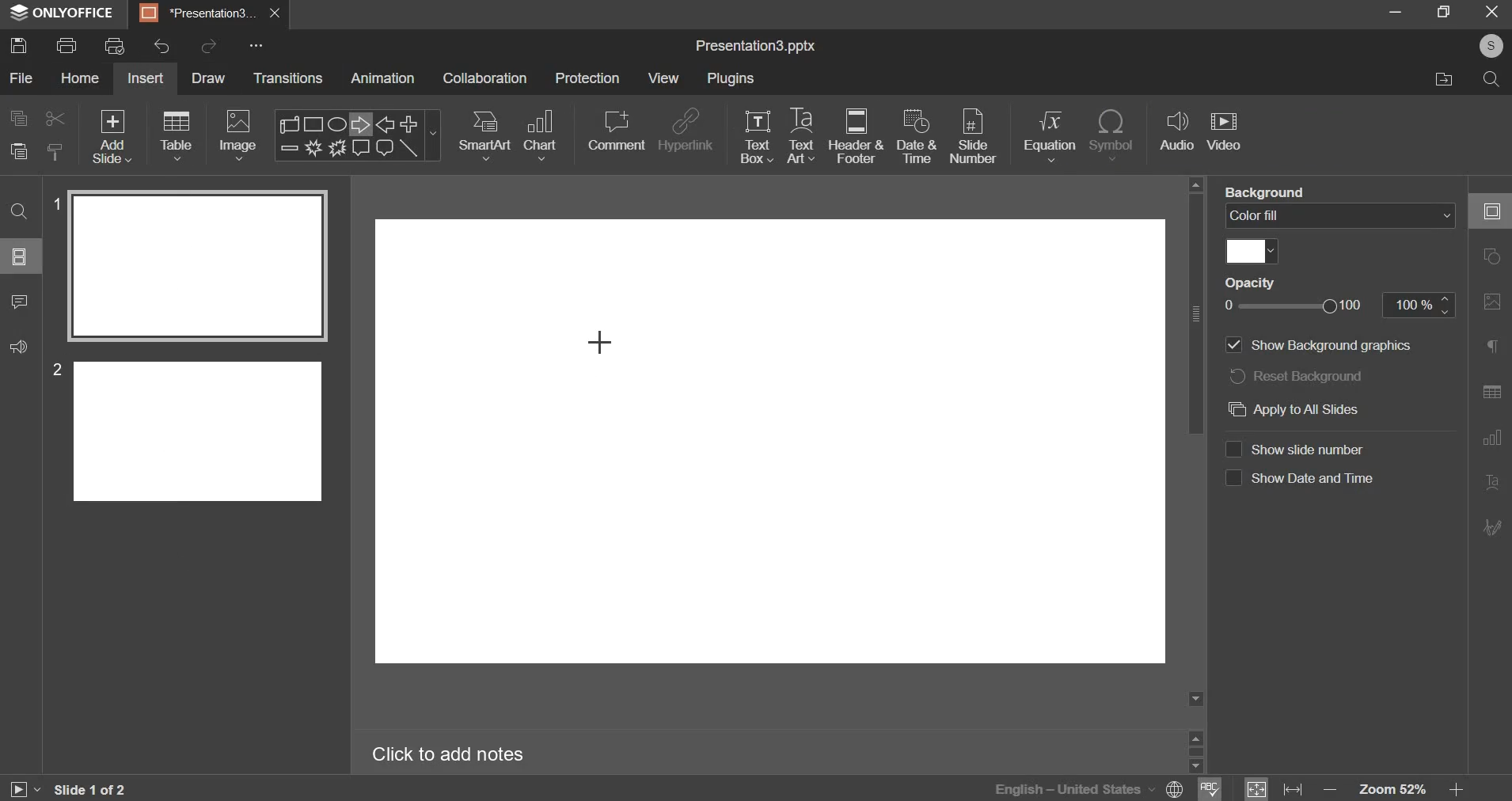 This screenshot has width=1512, height=801. I want to click on Slide settings, so click(1491, 211).